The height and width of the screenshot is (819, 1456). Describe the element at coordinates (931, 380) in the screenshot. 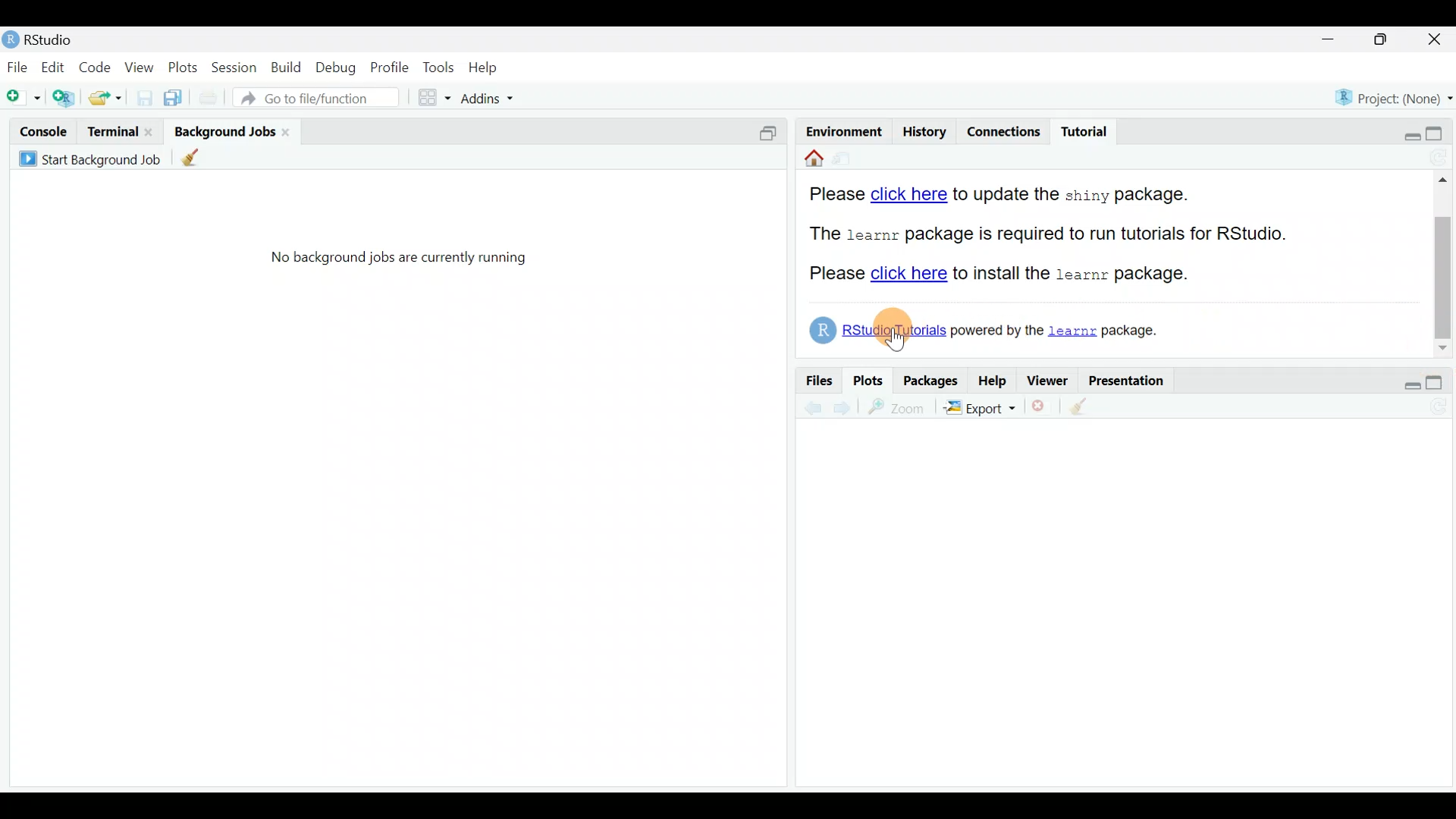

I see `Packages` at that location.